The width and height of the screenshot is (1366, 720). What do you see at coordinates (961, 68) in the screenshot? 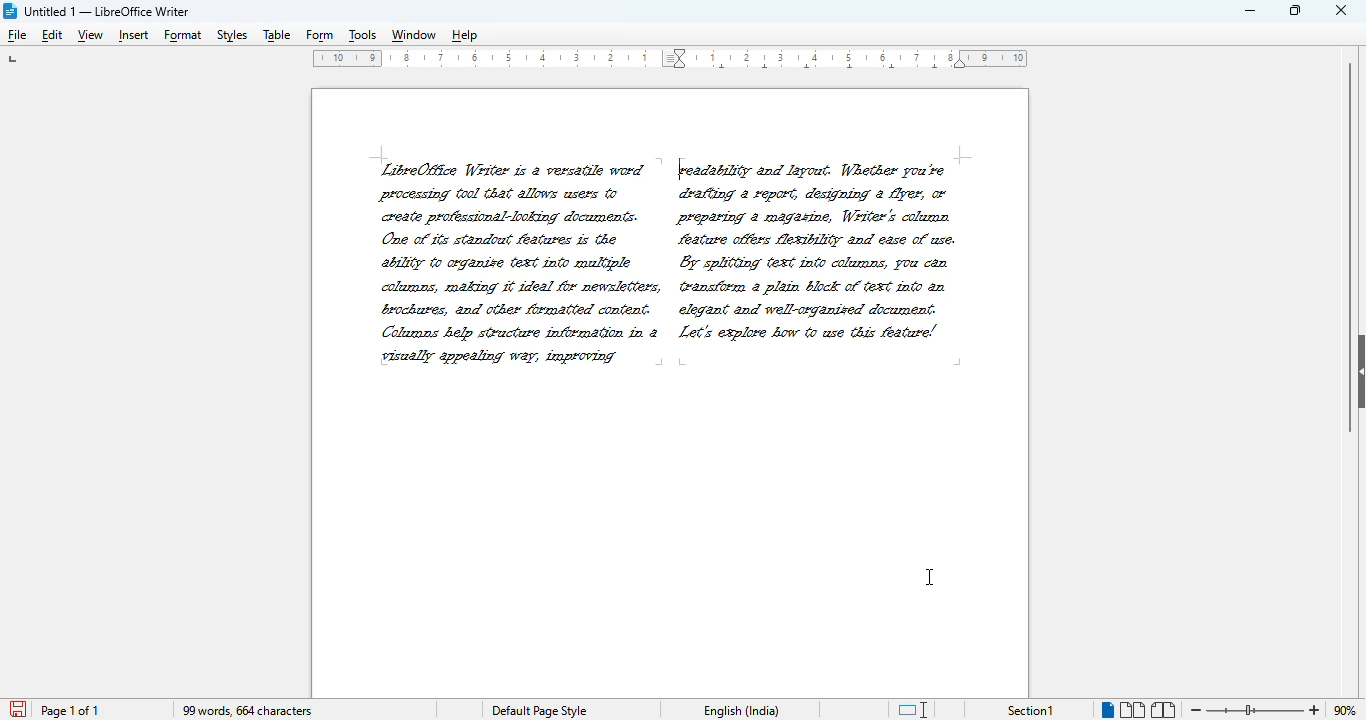
I see `left indent marker` at bounding box center [961, 68].